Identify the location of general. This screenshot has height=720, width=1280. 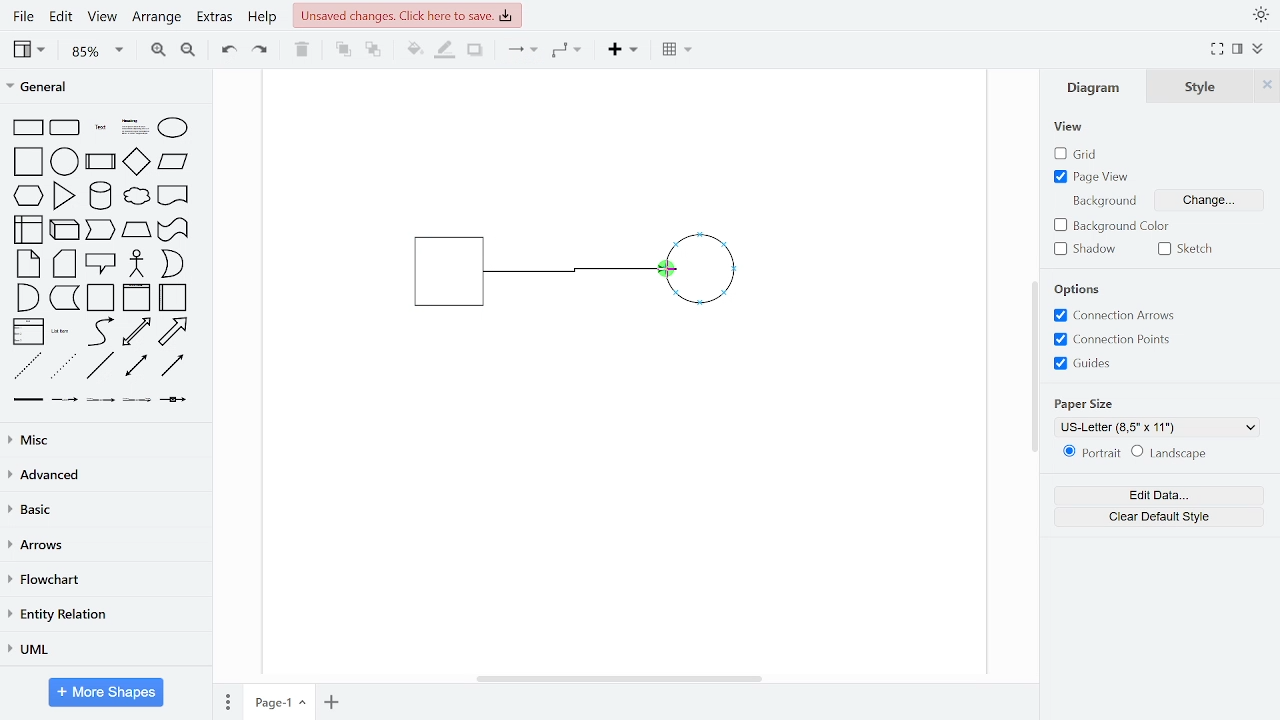
(107, 89).